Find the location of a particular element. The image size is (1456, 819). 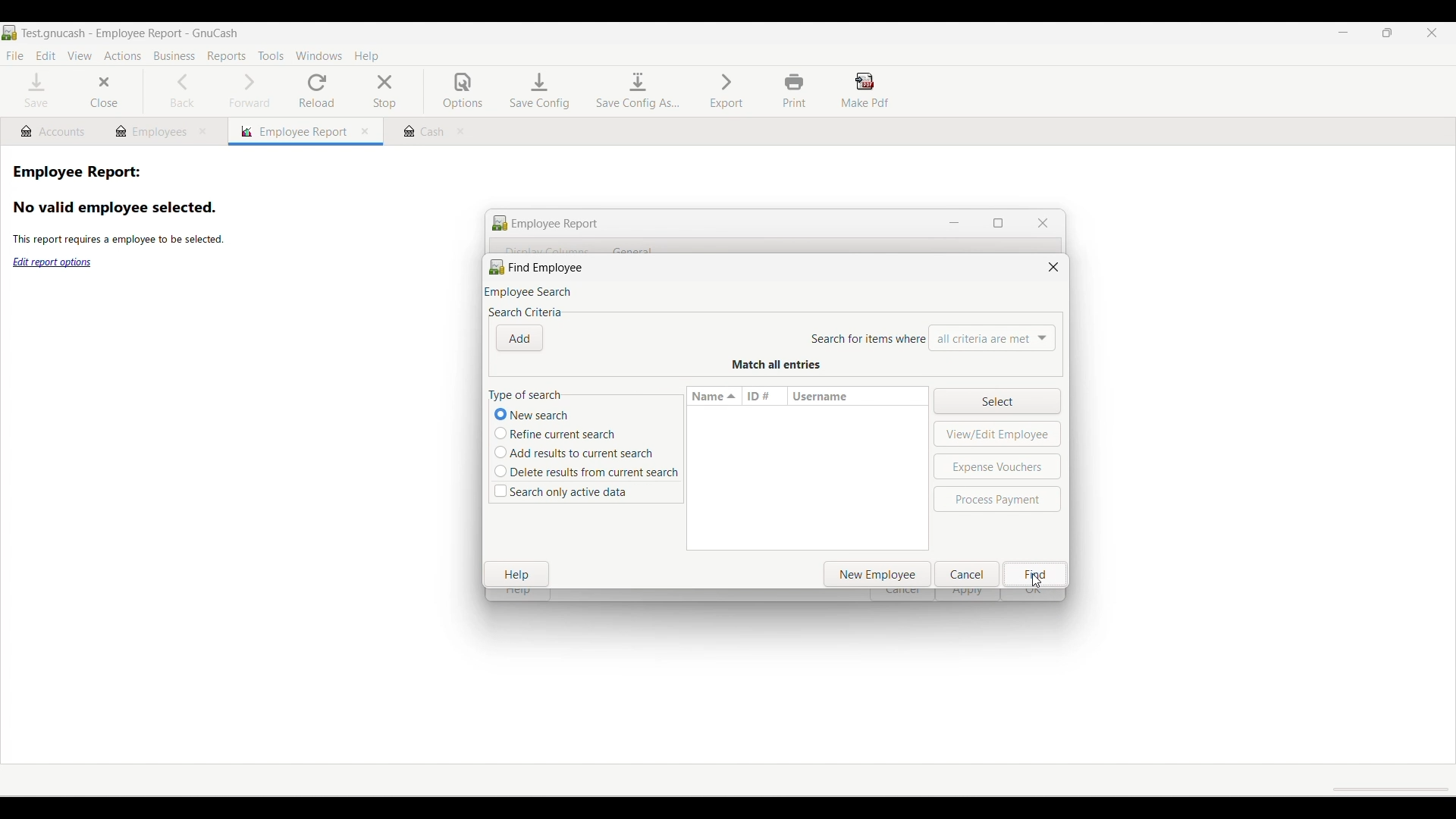

Expense vouchers is located at coordinates (999, 466).